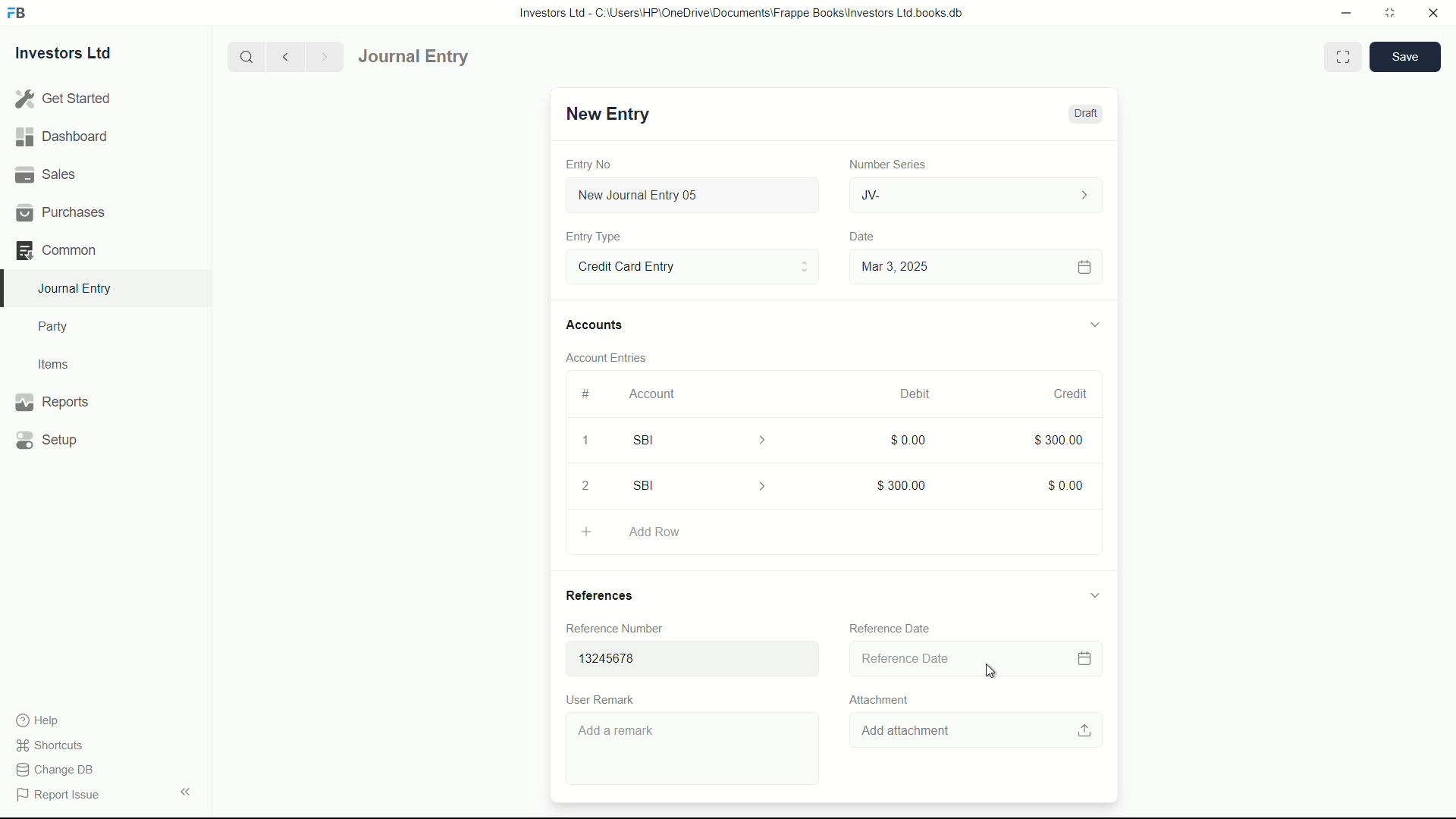  Describe the element at coordinates (594, 237) in the screenshot. I see `Entry Type` at that location.